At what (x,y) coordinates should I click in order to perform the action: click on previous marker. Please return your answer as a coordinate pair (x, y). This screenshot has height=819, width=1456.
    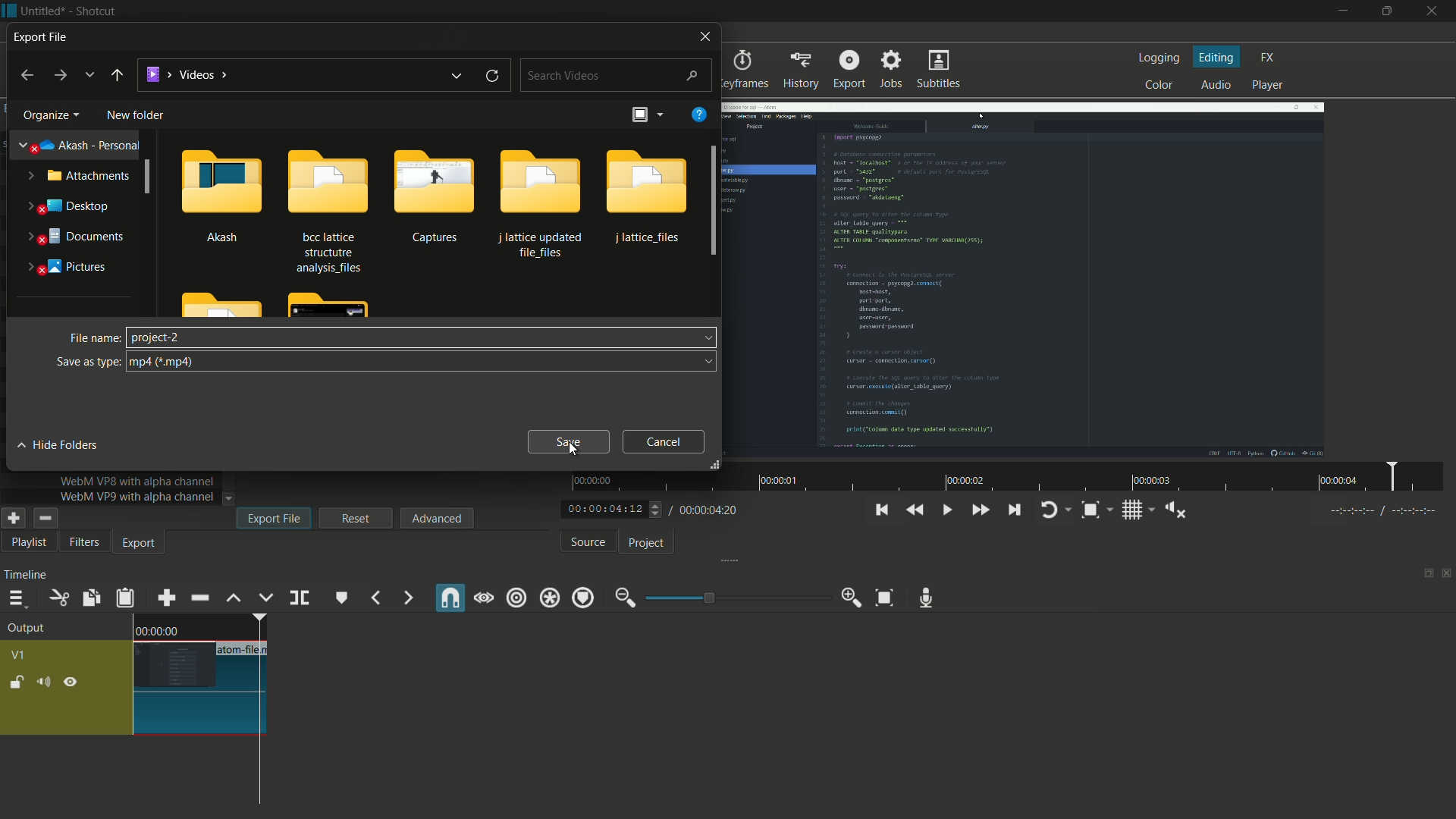
    Looking at the image, I should click on (374, 599).